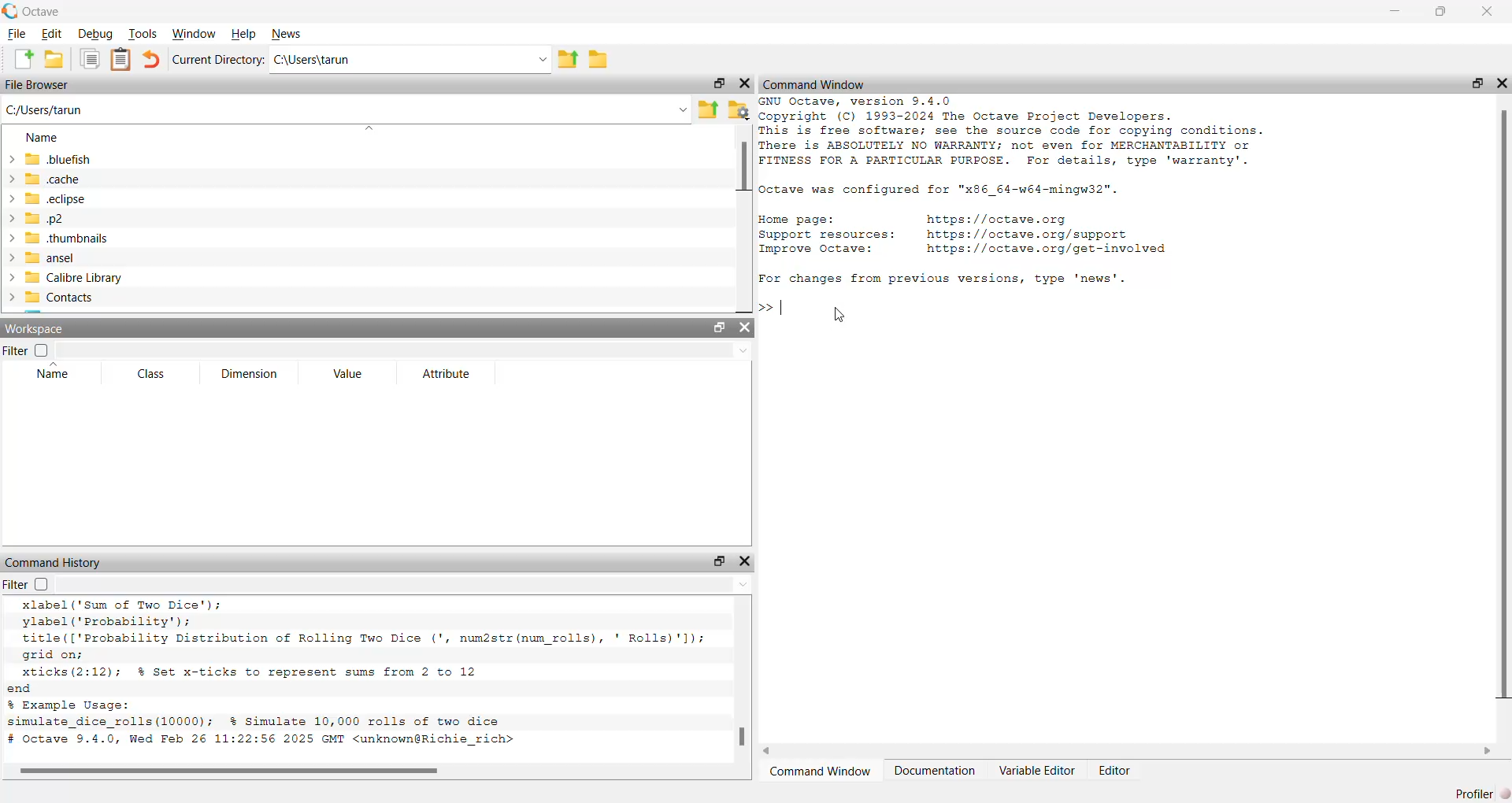 The image size is (1512, 803). Describe the element at coordinates (410, 62) in the screenshot. I see `C:\Users\tarun` at that location.